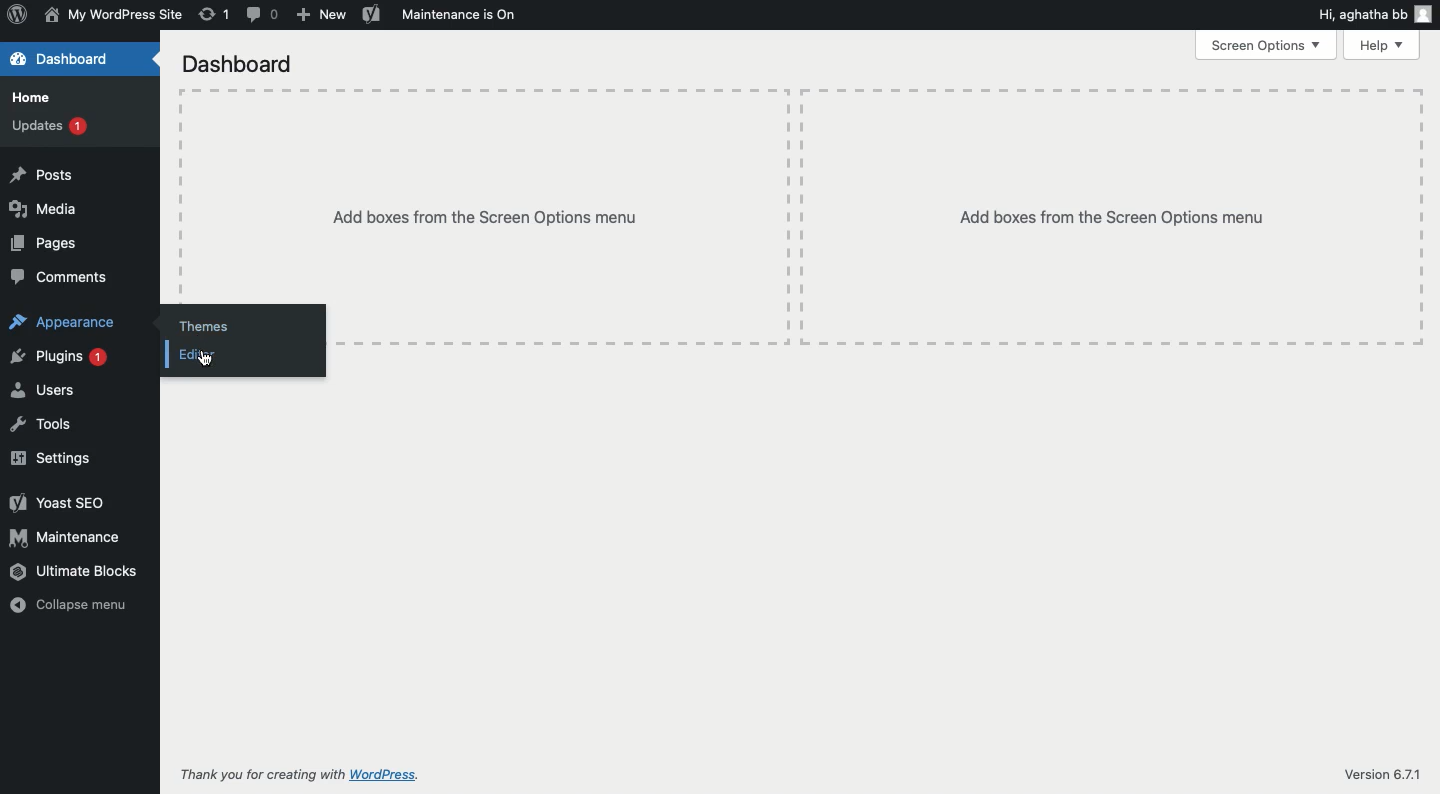 The height and width of the screenshot is (794, 1440). Describe the element at coordinates (459, 15) in the screenshot. I see `Maintenance` at that location.